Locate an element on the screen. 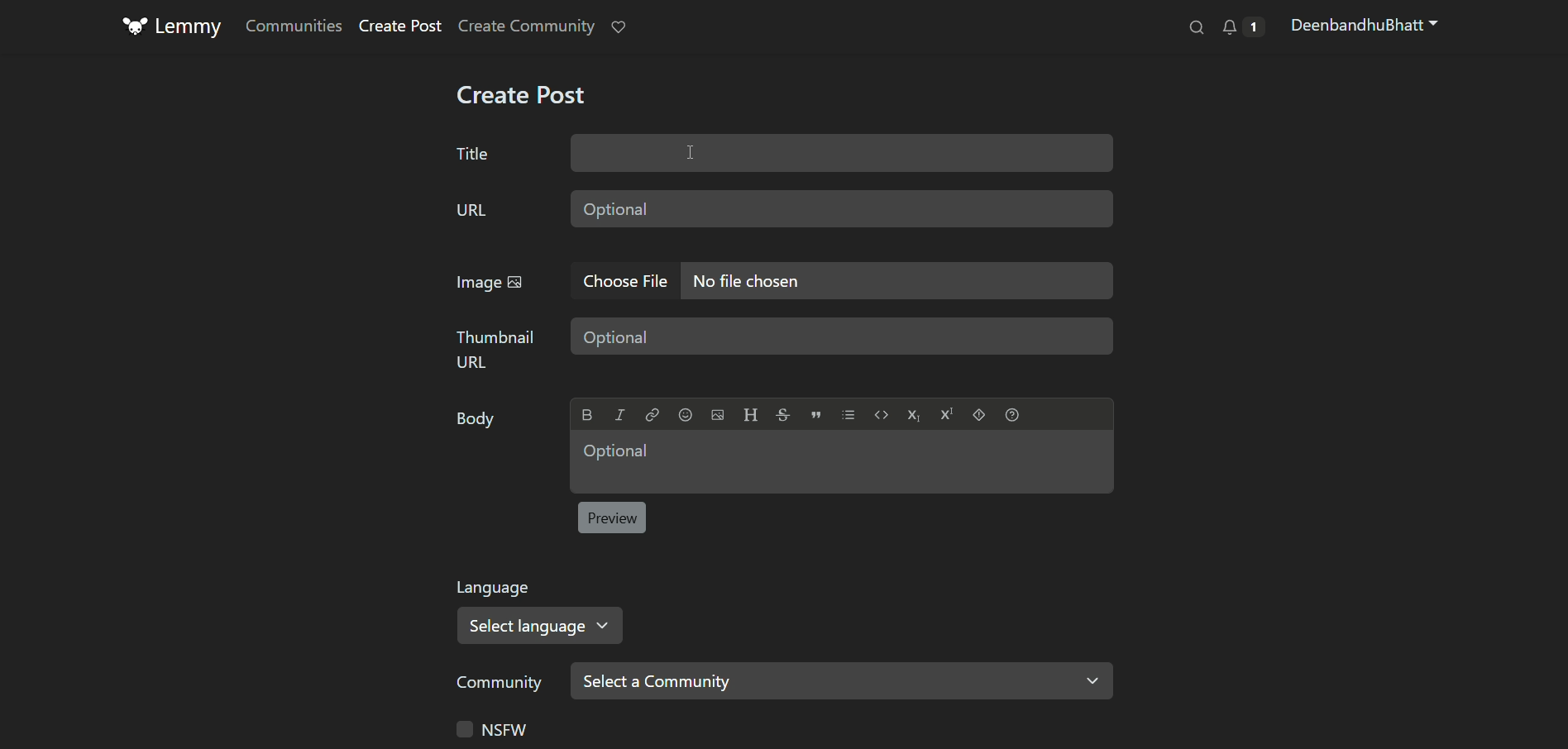  Upload image is located at coordinates (717, 415).